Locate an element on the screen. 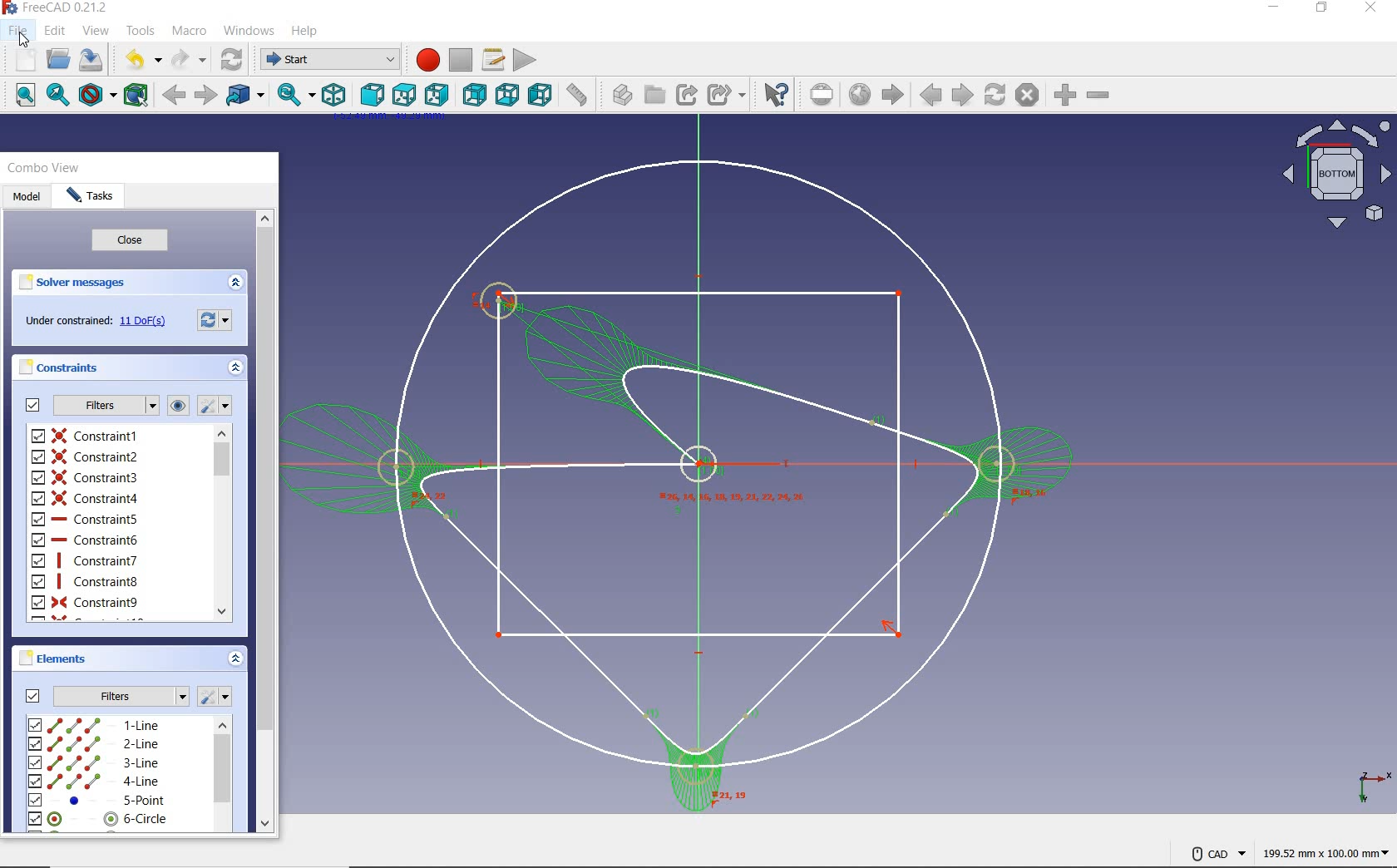 This screenshot has width=1397, height=868. go tolinked object is located at coordinates (246, 94).